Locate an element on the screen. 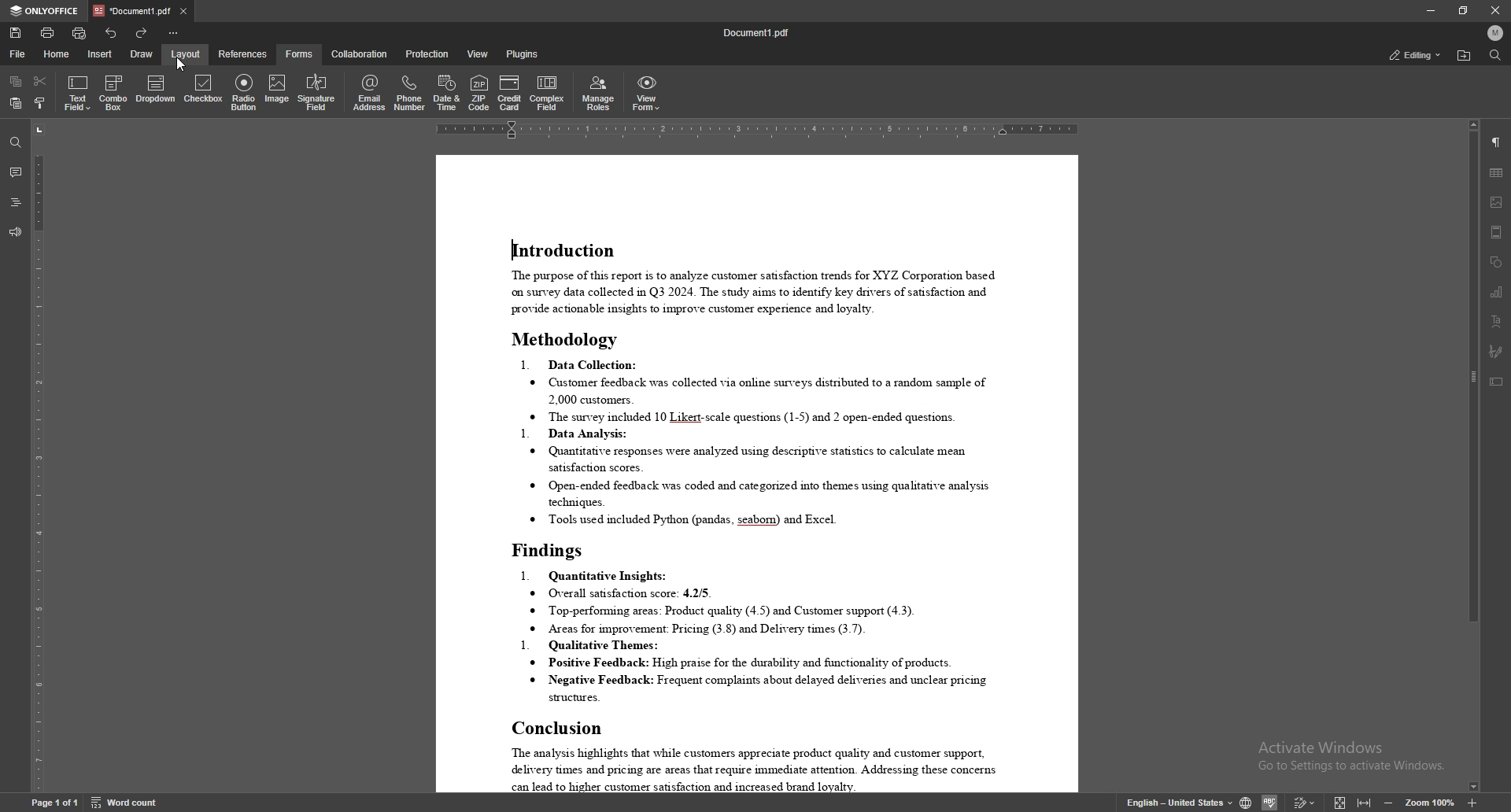 Image resolution: width=1511 pixels, height=812 pixels. track changes is located at coordinates (1304, 802).